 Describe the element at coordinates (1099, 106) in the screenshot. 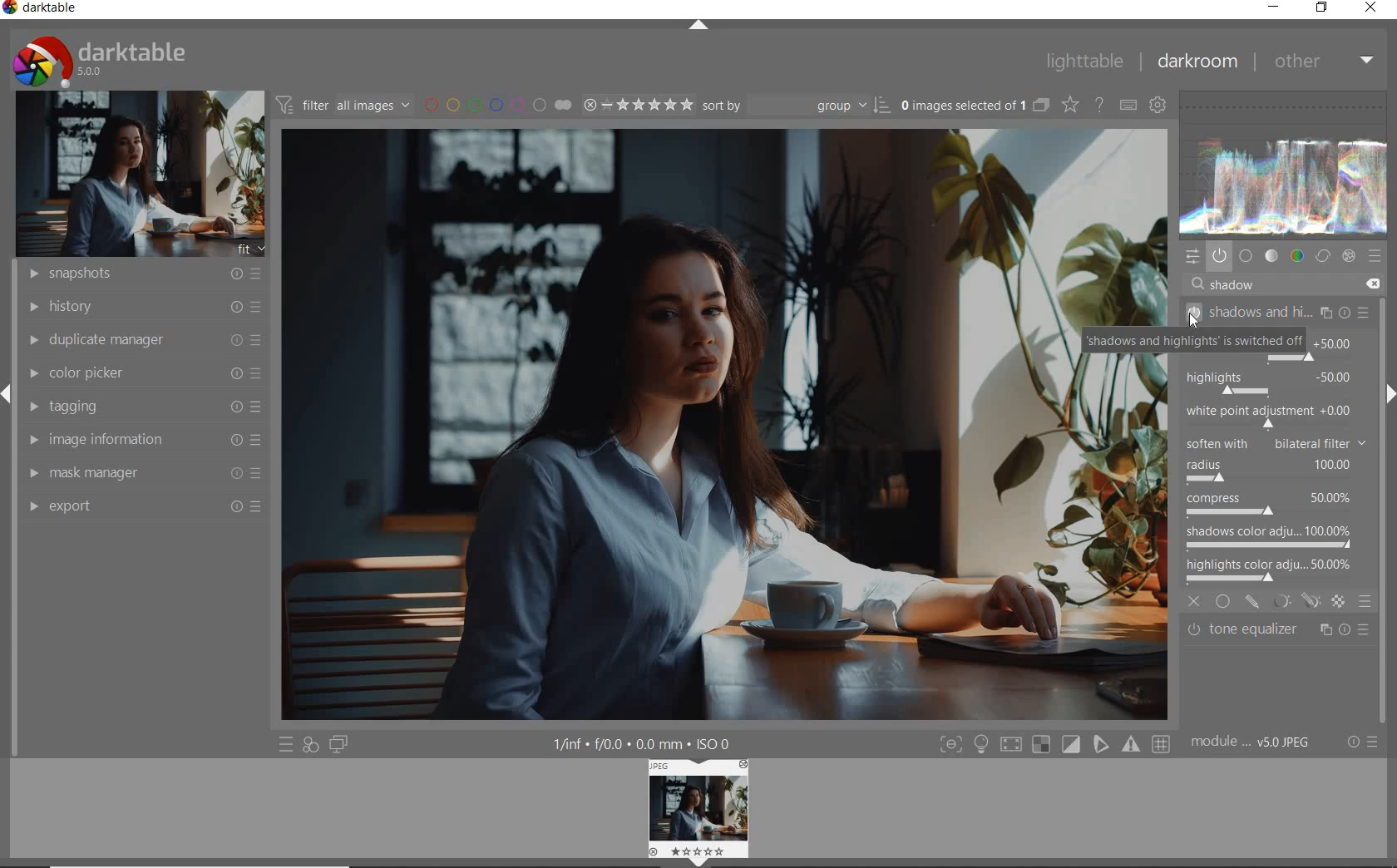

I see `enable for online help` at that location.